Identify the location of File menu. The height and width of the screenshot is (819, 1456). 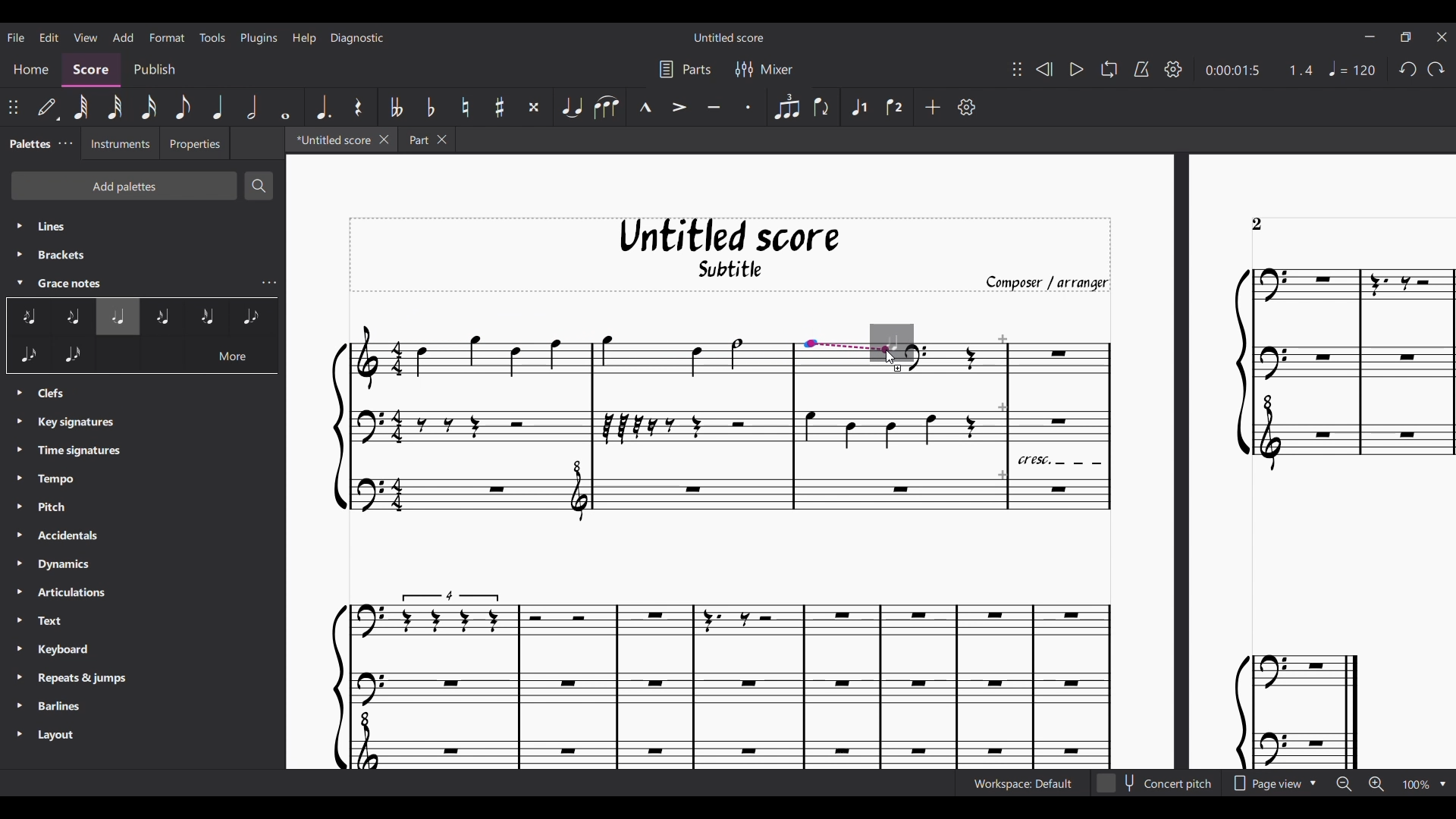
(16, 37).